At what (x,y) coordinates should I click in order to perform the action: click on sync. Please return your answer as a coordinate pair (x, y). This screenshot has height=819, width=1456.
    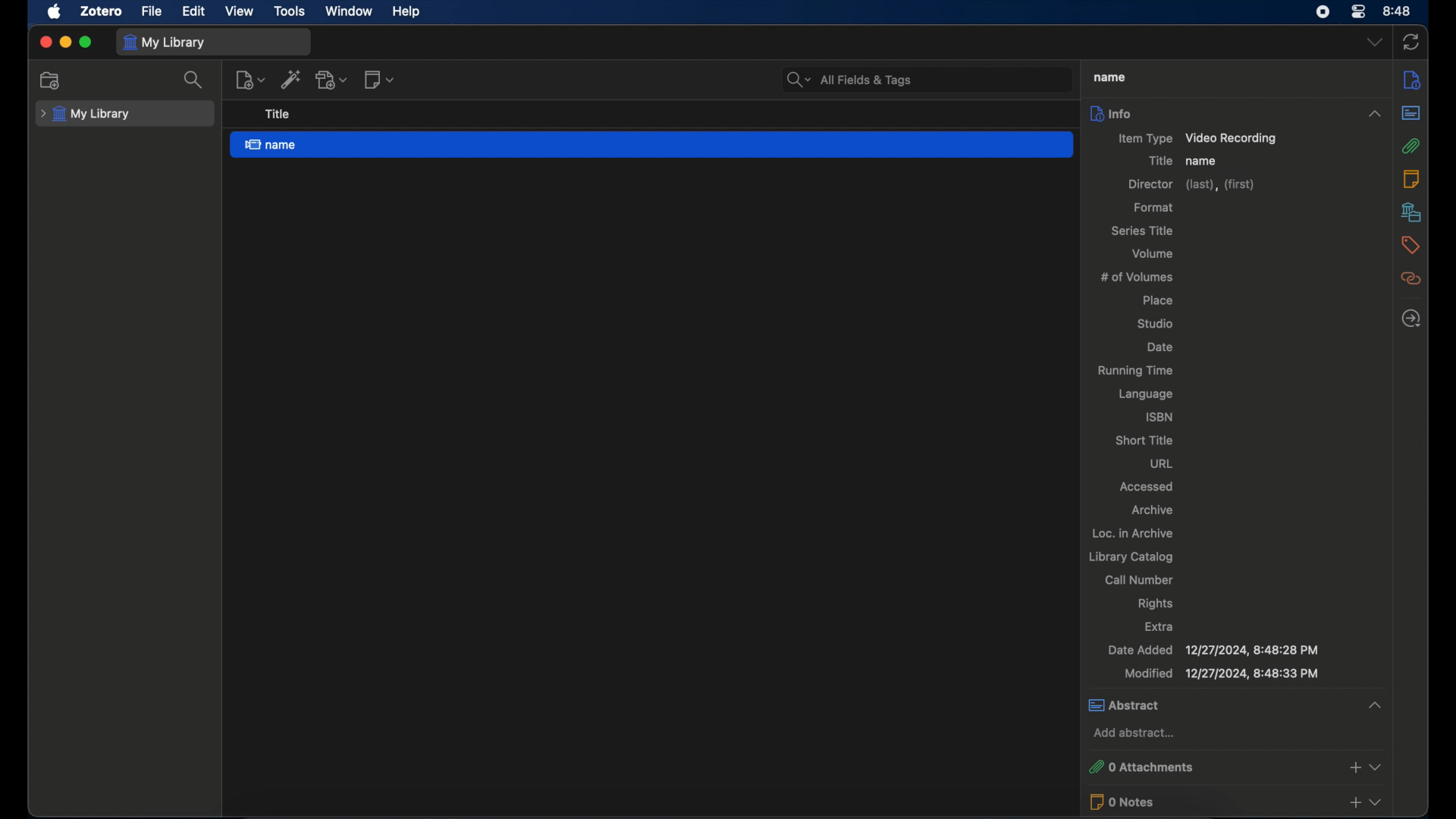
    Looking at the image, I should click on (1412, 42).